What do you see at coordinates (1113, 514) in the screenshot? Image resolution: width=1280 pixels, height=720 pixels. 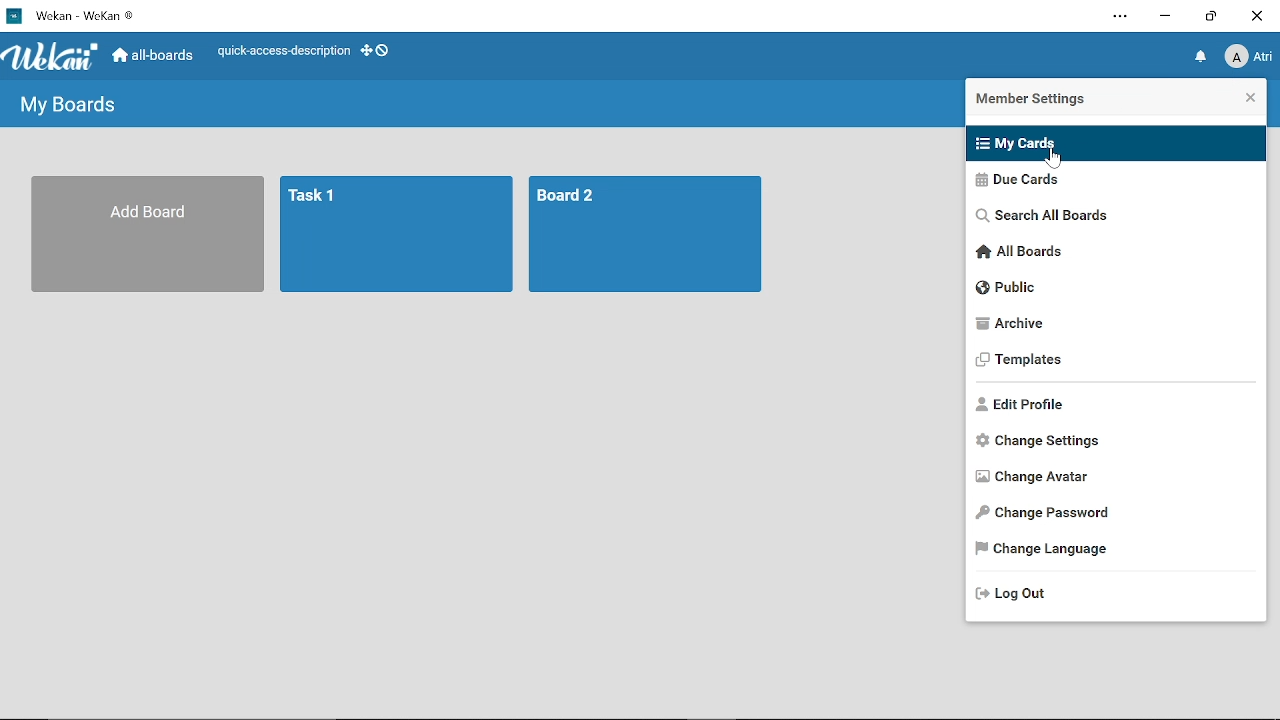 I see `Change Password` at bounding box center [1113, 514].